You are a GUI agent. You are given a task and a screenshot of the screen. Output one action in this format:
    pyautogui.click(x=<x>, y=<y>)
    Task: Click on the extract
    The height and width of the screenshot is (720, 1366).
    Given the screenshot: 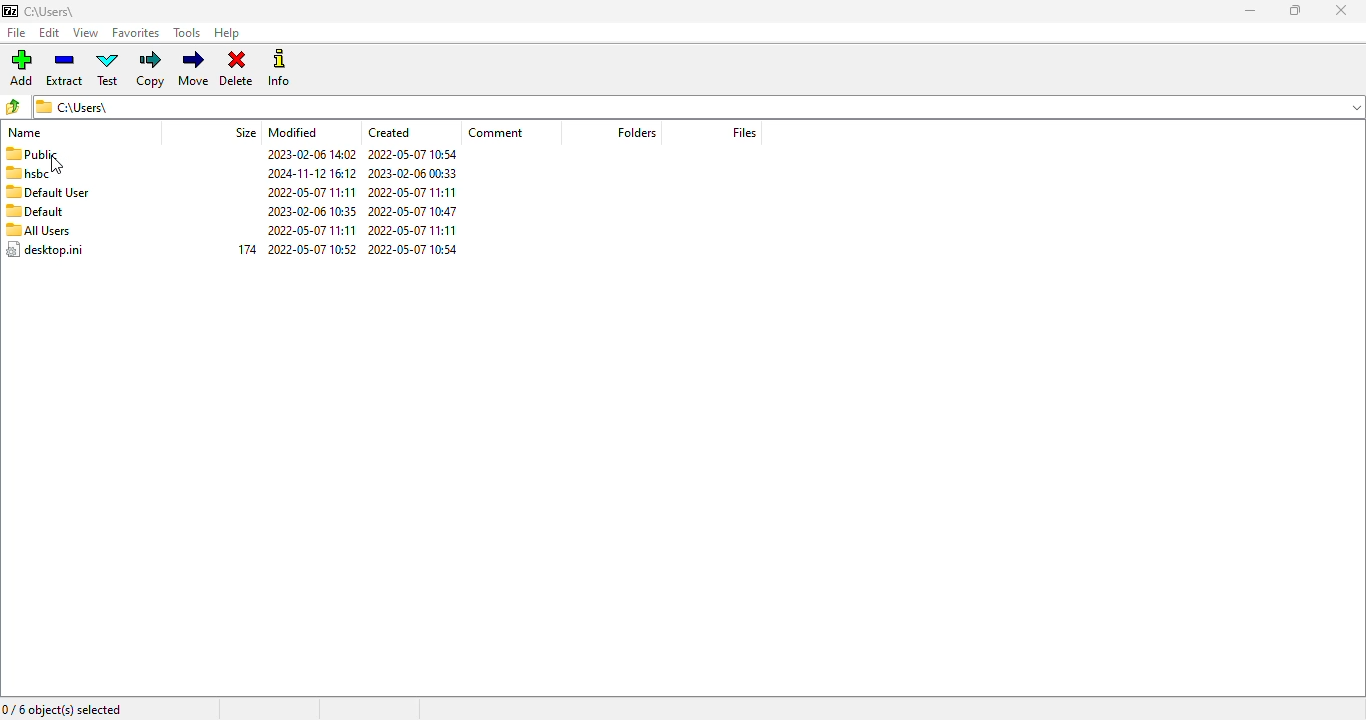 What is the action you would take?
    pyautogui.click(x=64, y=67)
    